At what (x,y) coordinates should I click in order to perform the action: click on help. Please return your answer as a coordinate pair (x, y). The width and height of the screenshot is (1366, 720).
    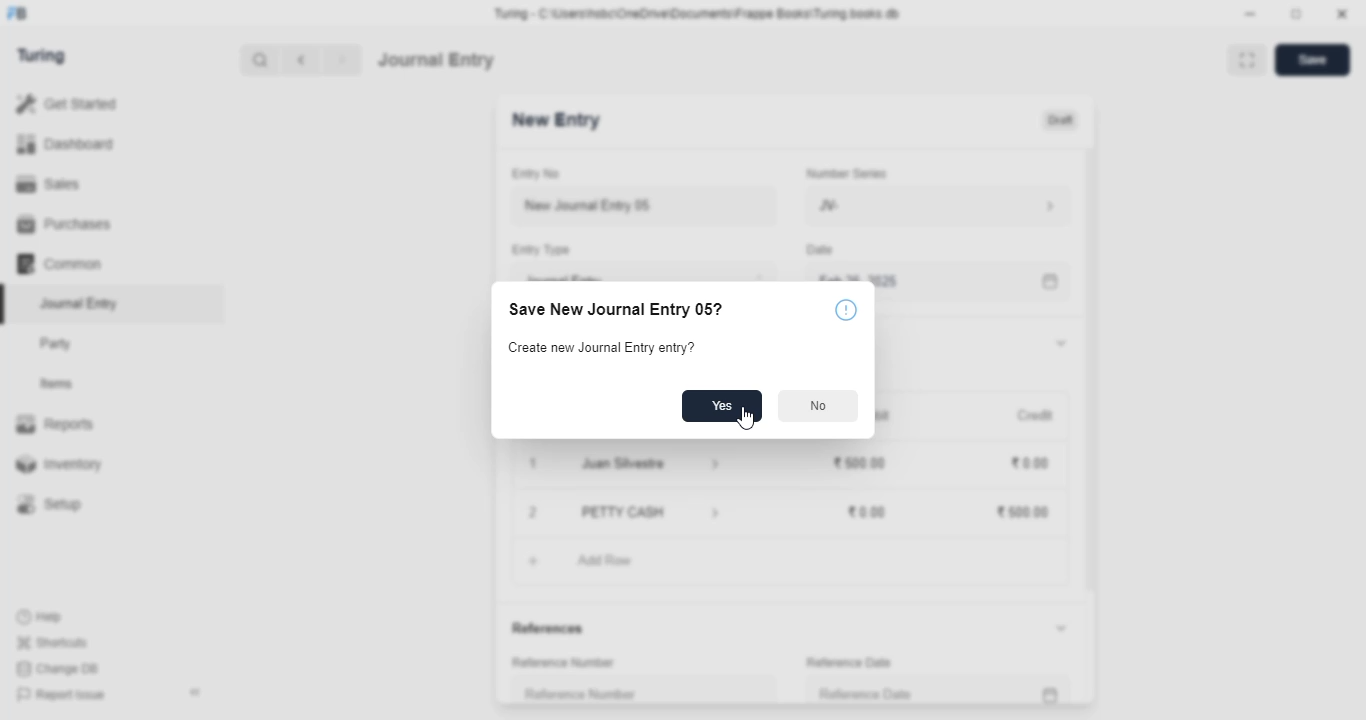
    Looking at the image, I should click on (41, 616).